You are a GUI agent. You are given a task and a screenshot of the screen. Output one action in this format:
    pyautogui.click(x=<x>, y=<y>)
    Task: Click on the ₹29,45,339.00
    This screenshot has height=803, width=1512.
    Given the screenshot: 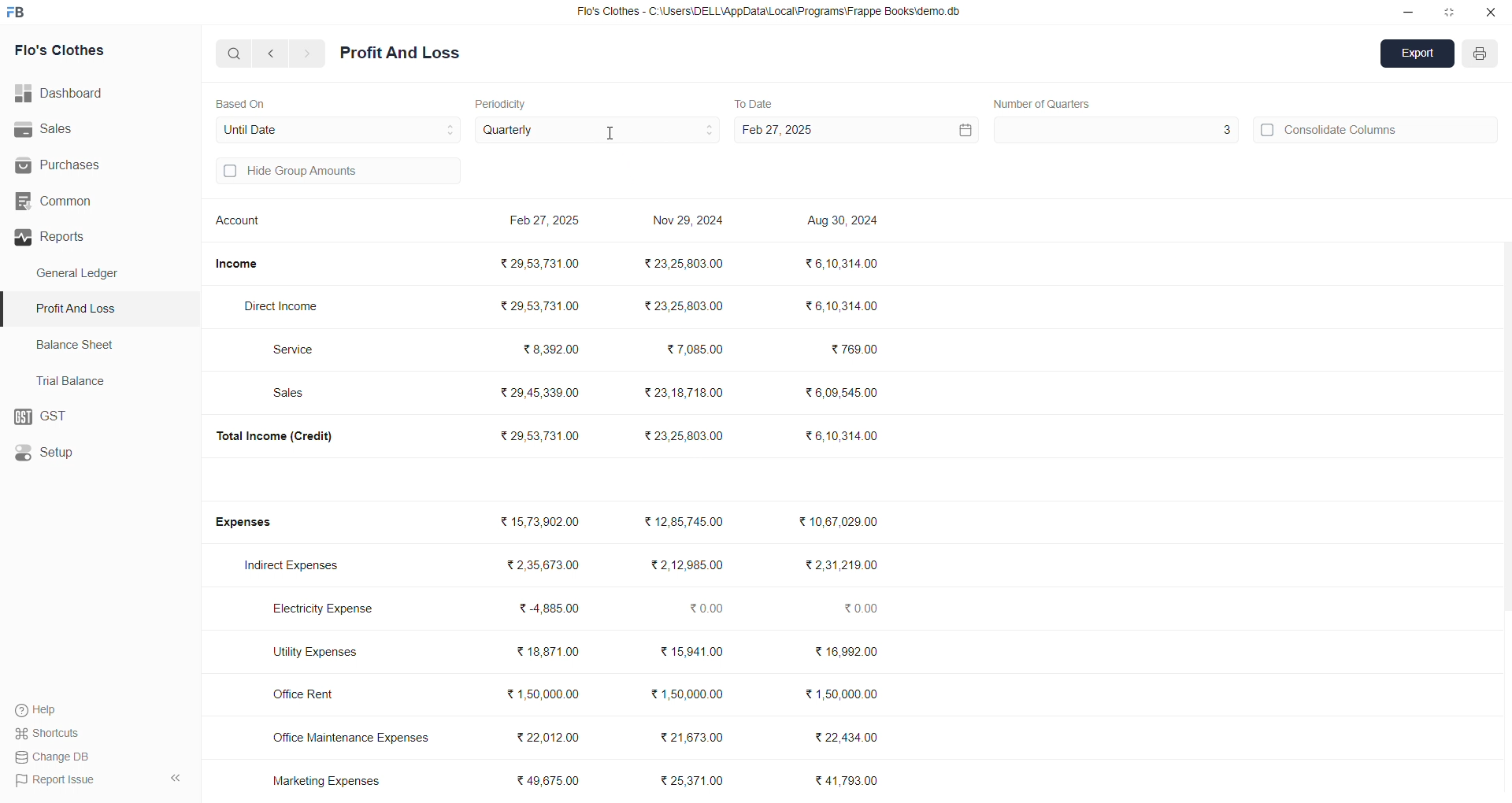 What is the action you would take?
    pyautogui.click(x=542, y=394)
    